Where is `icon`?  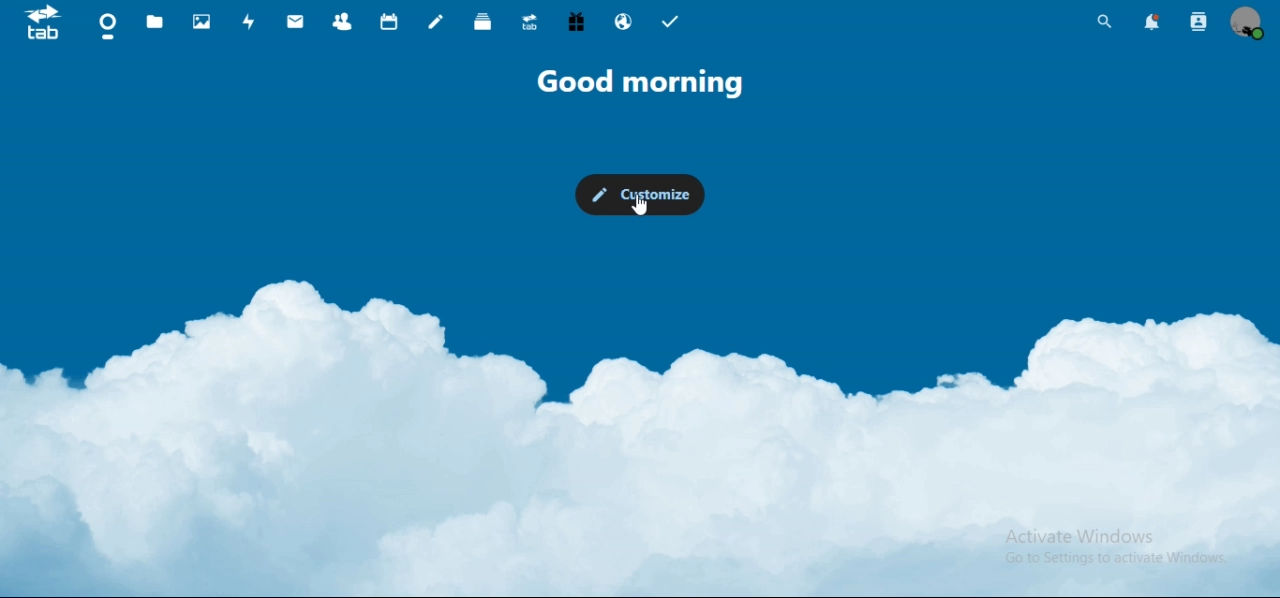
icon is located at coordinates (43, 22).